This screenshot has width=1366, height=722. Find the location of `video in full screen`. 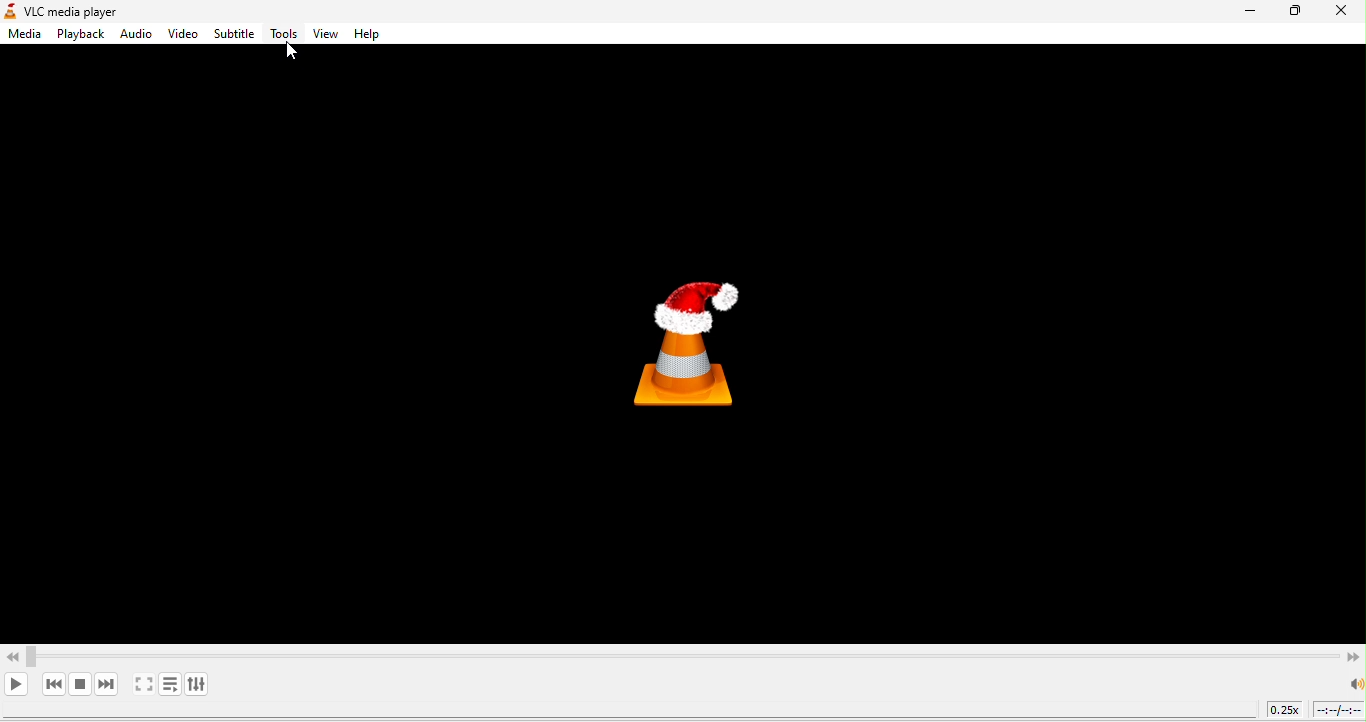

video in full screen is located at coordinates (145, 685).